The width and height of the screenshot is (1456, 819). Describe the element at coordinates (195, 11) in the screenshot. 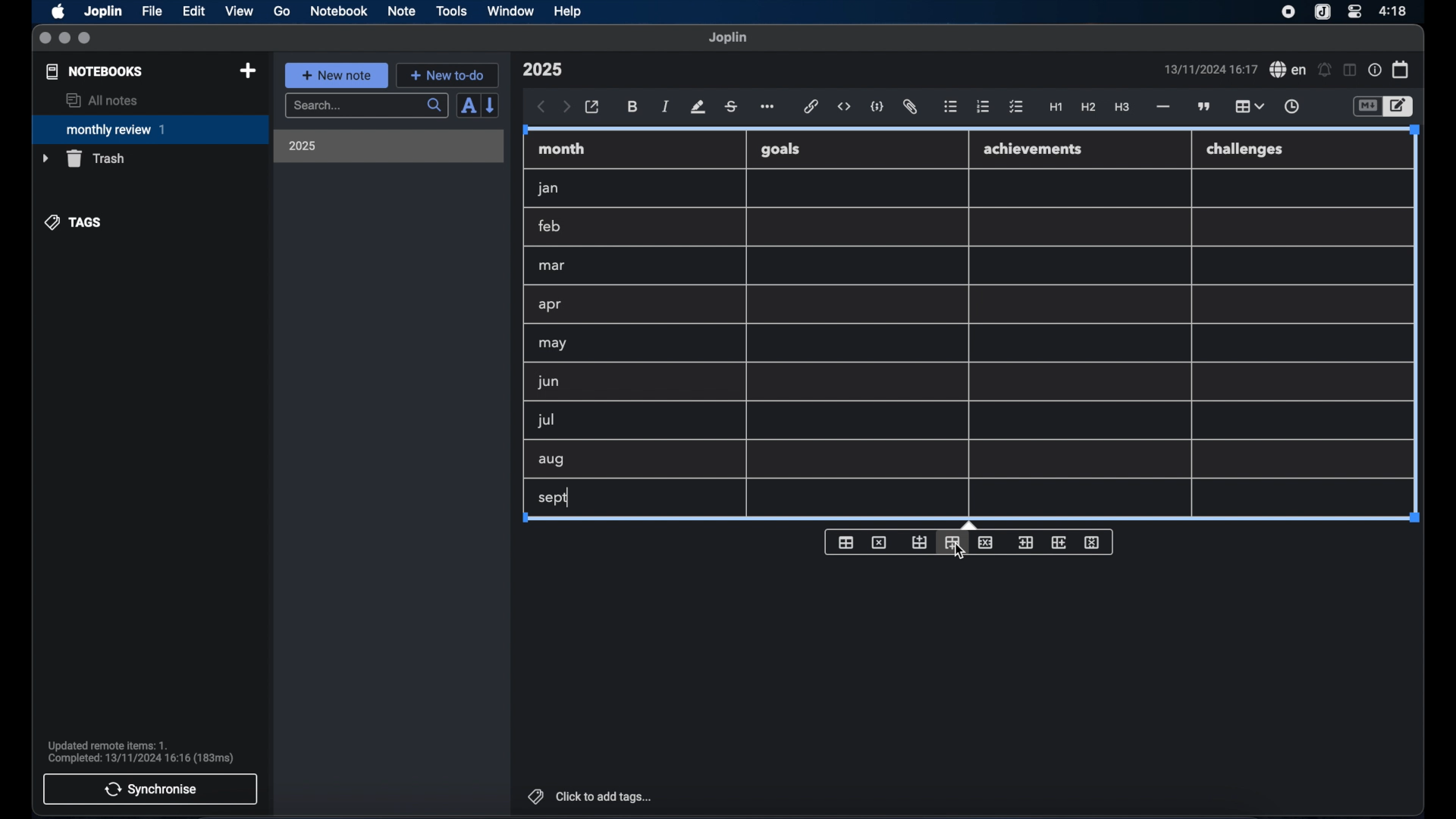

I see `edit` at that location.